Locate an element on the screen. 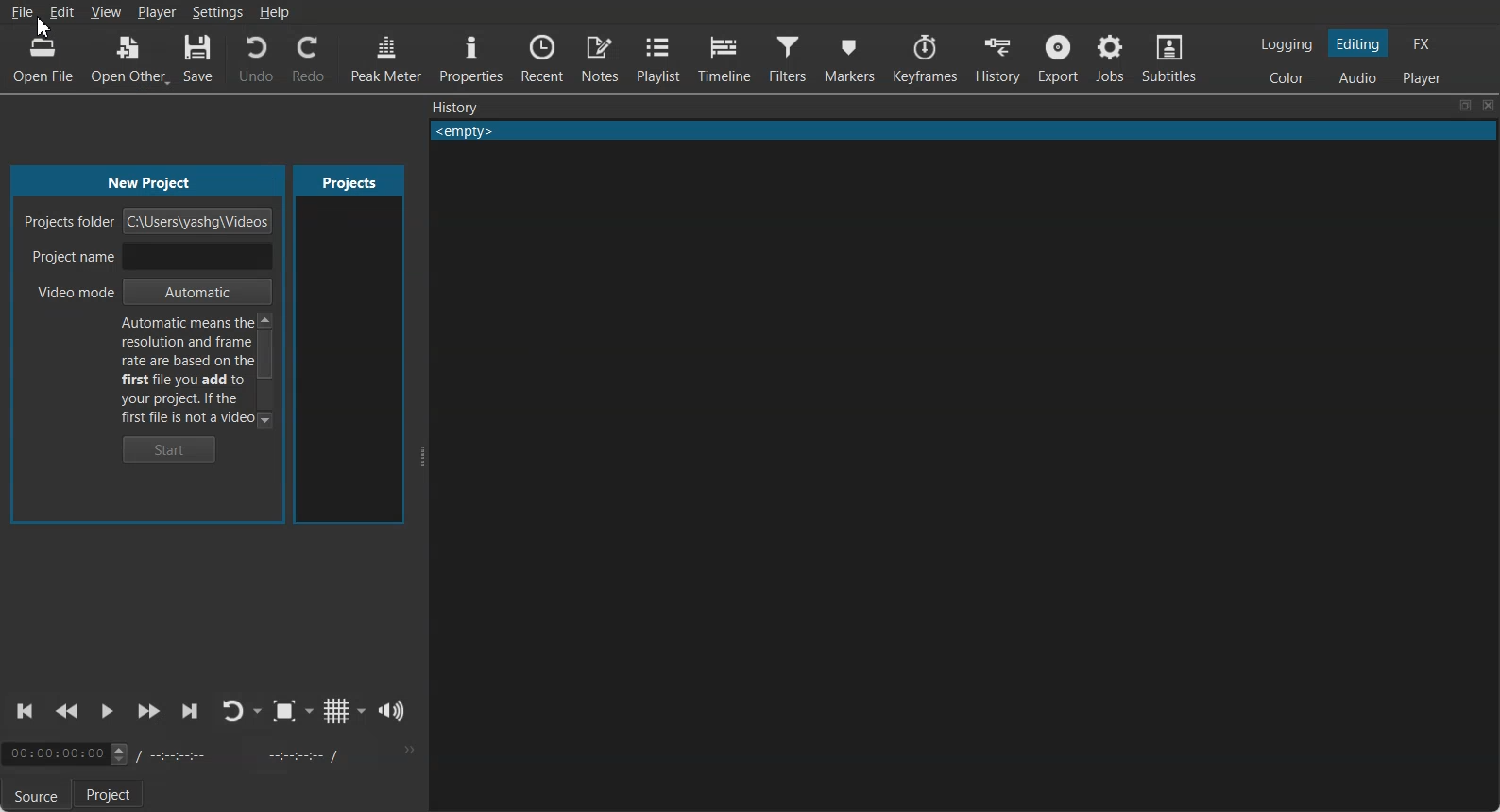  Markers is located at coordinates (850, 58).